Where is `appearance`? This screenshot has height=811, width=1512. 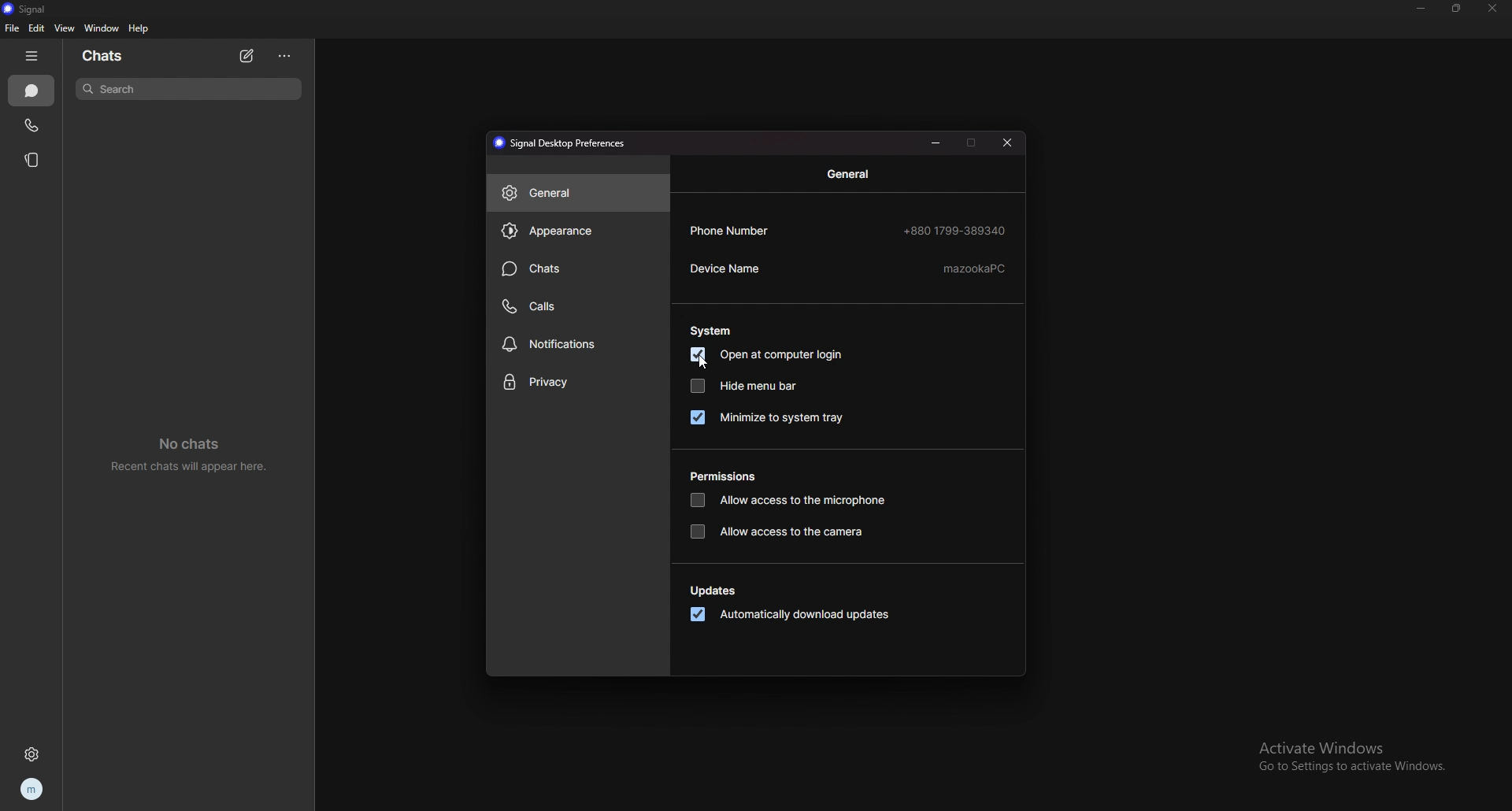 appearance is located at coordinates (578, 230).